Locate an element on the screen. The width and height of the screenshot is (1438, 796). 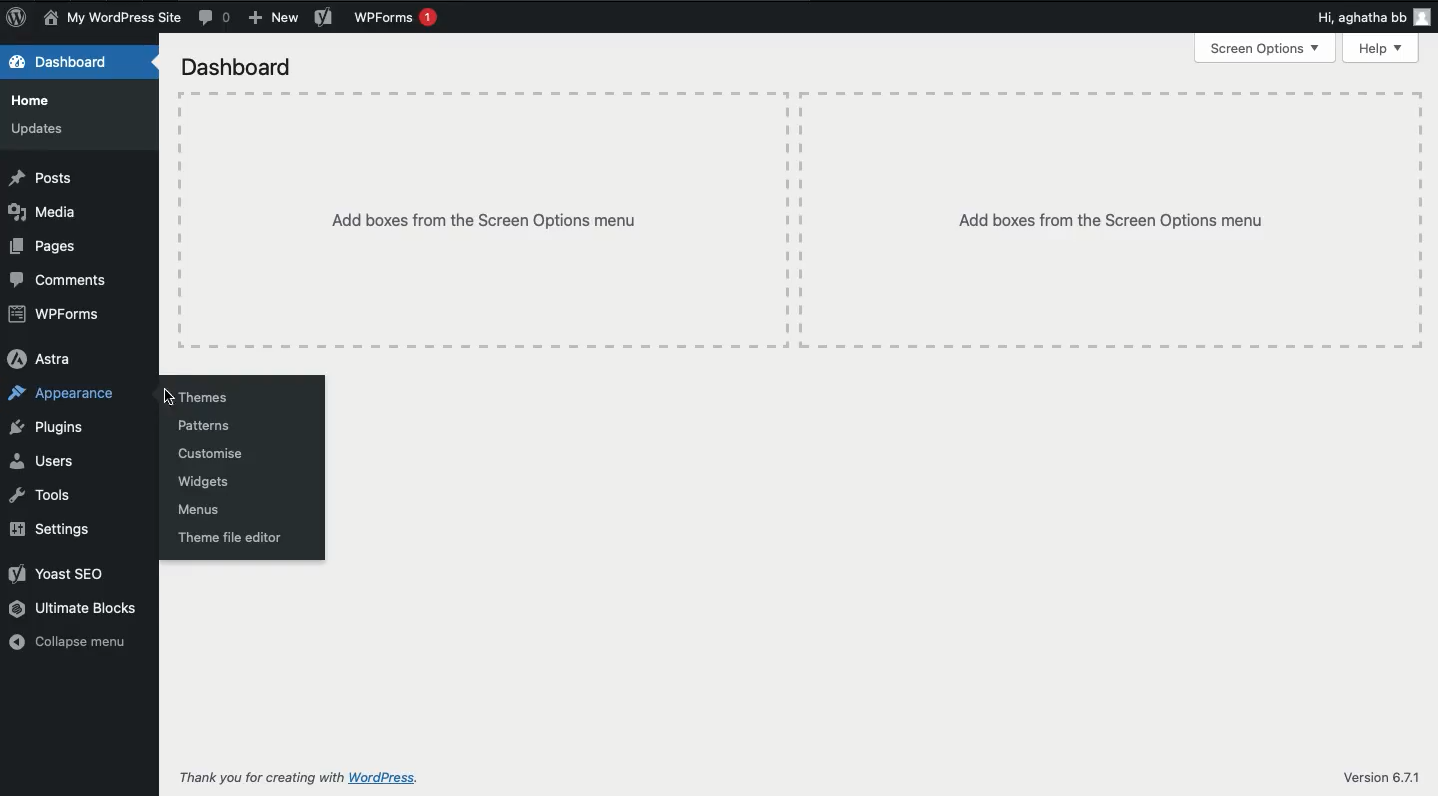
Plugins is located at coordinates (45, 428).